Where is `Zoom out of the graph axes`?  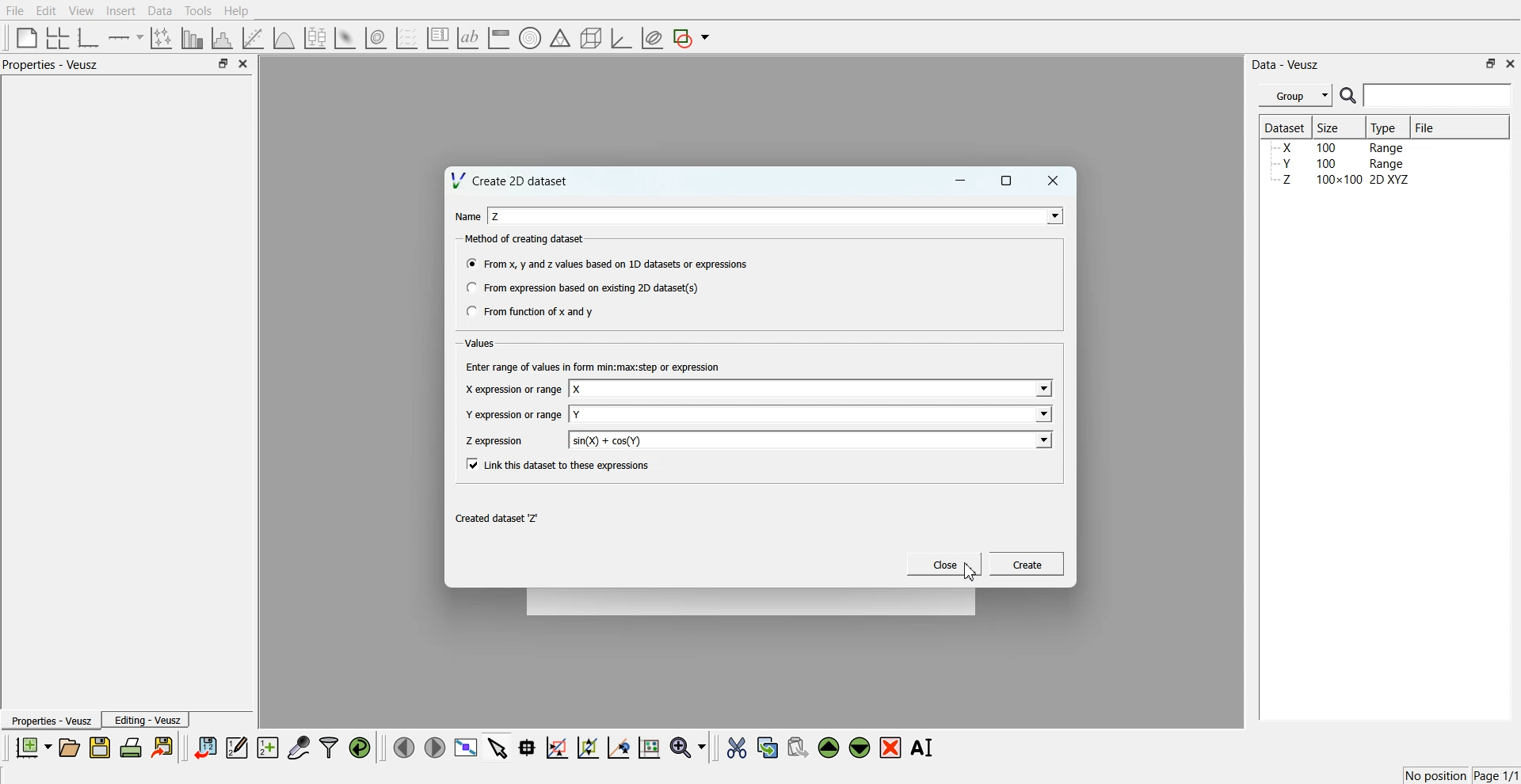
Zoom out of the graph axes is located at coordinates (588, 747).